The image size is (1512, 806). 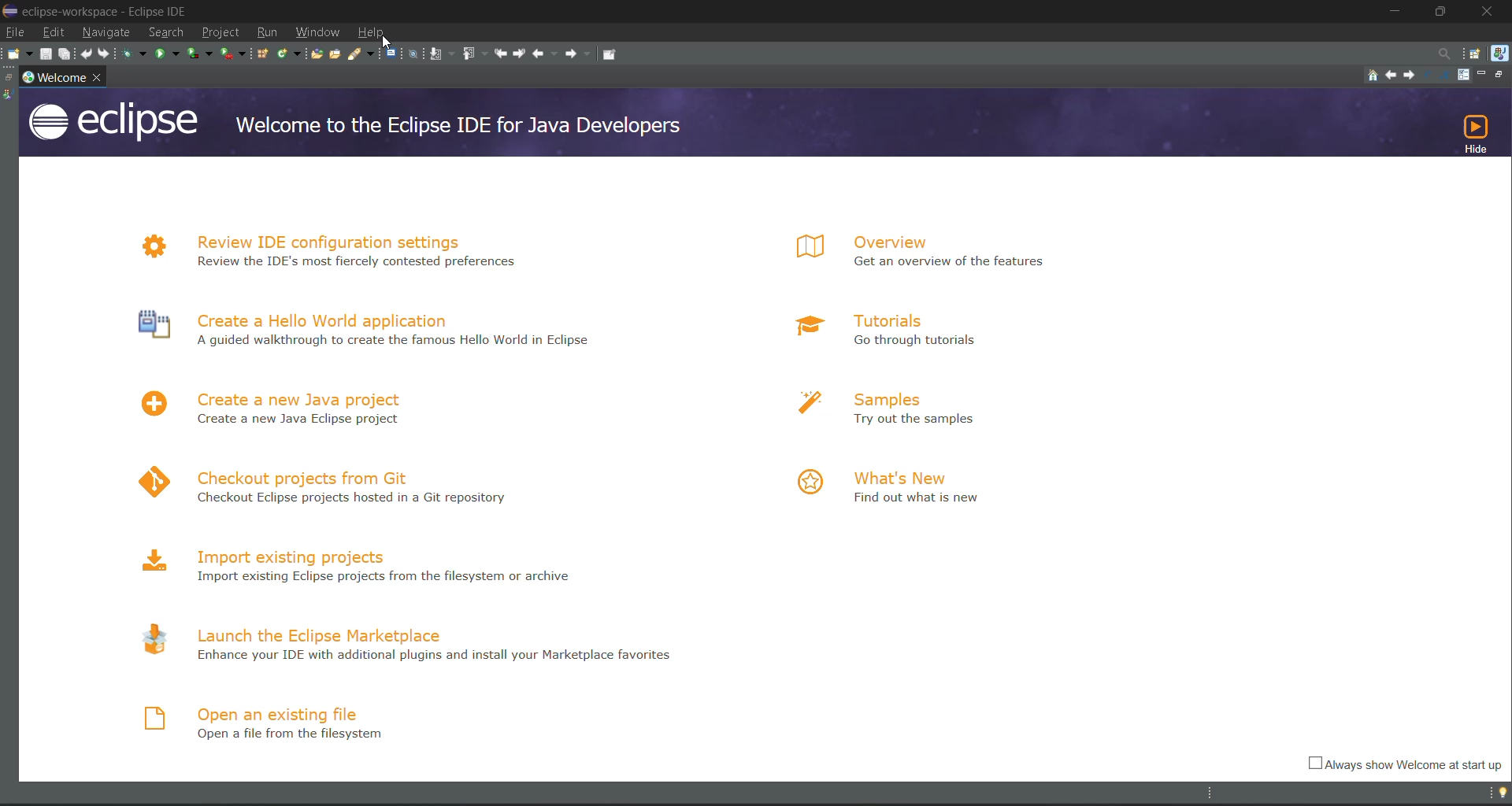 What do you see at coordinates (135, 54) in the screenshot?
I see `debug` at bounding box center [135, 54].